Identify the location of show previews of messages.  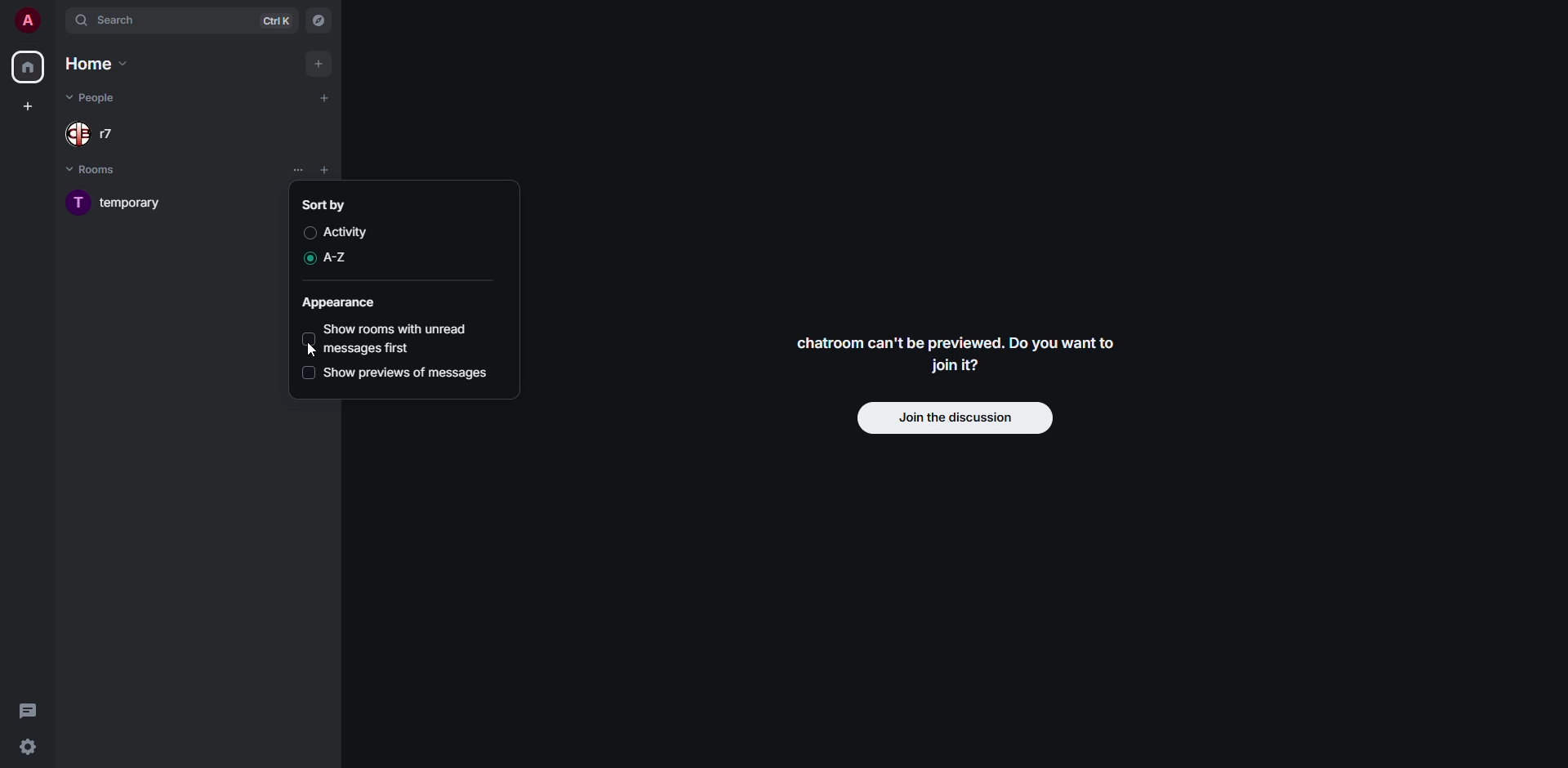
(410, 373).